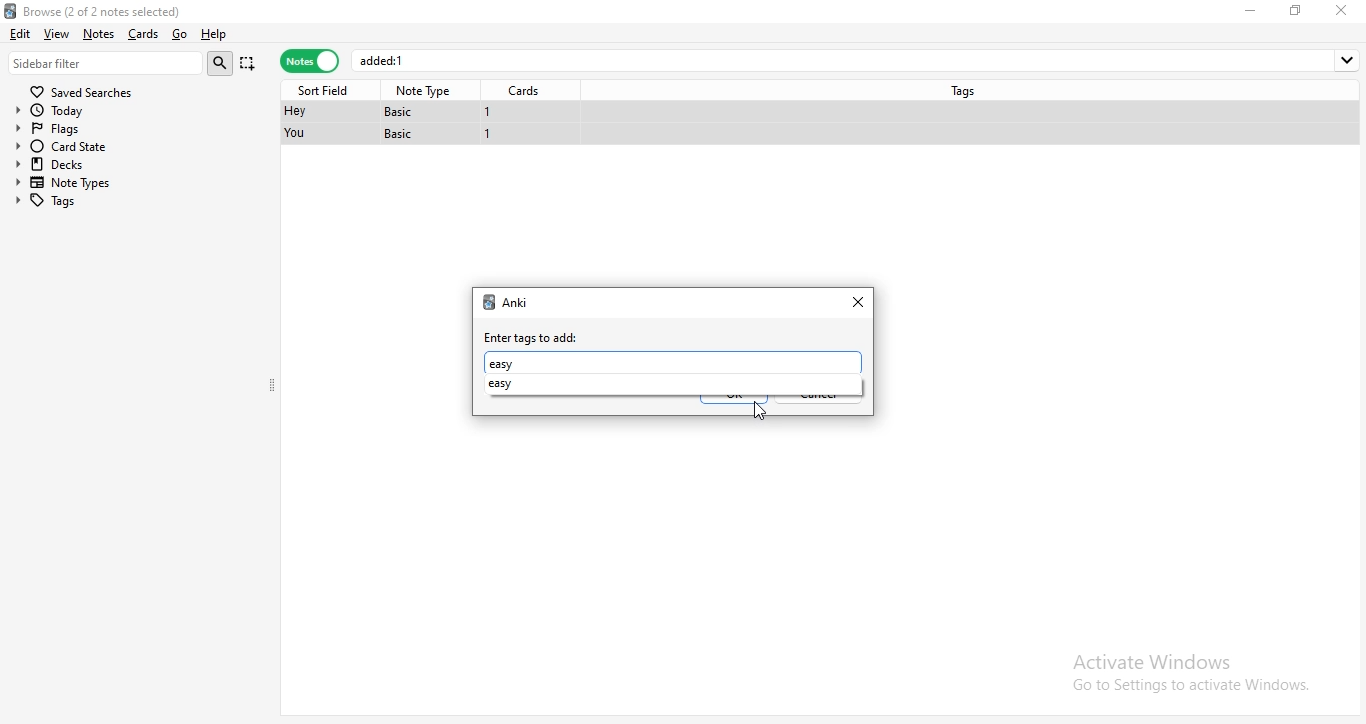  Describe the element at coordinates (309, 62) in the screenshot. I see `notes` at that location.